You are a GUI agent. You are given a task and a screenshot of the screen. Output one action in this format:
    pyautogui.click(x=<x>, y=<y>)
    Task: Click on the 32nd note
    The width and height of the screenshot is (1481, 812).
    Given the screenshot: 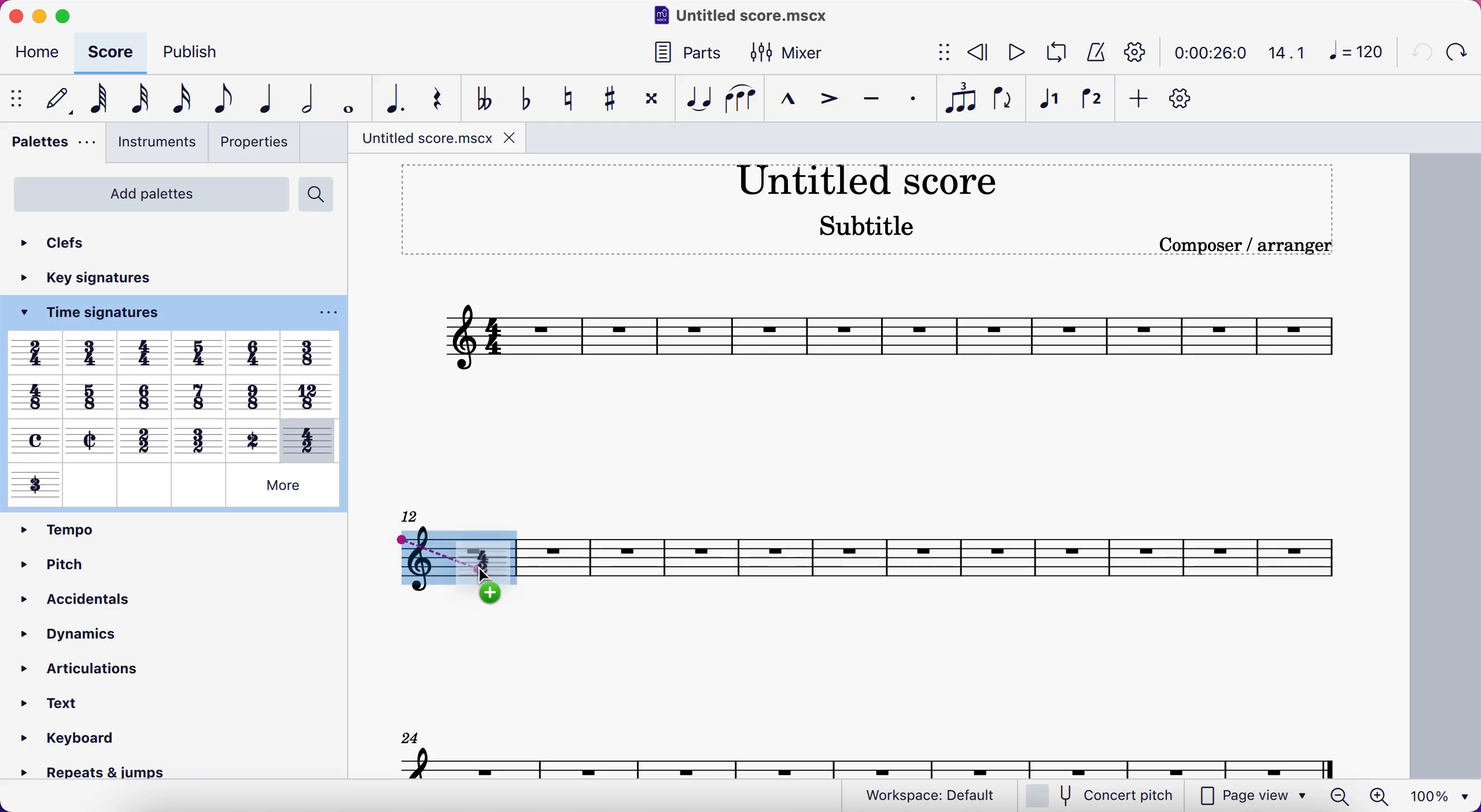 What is the action you would take?
    pyautogui.click(x=138, y=99)
    